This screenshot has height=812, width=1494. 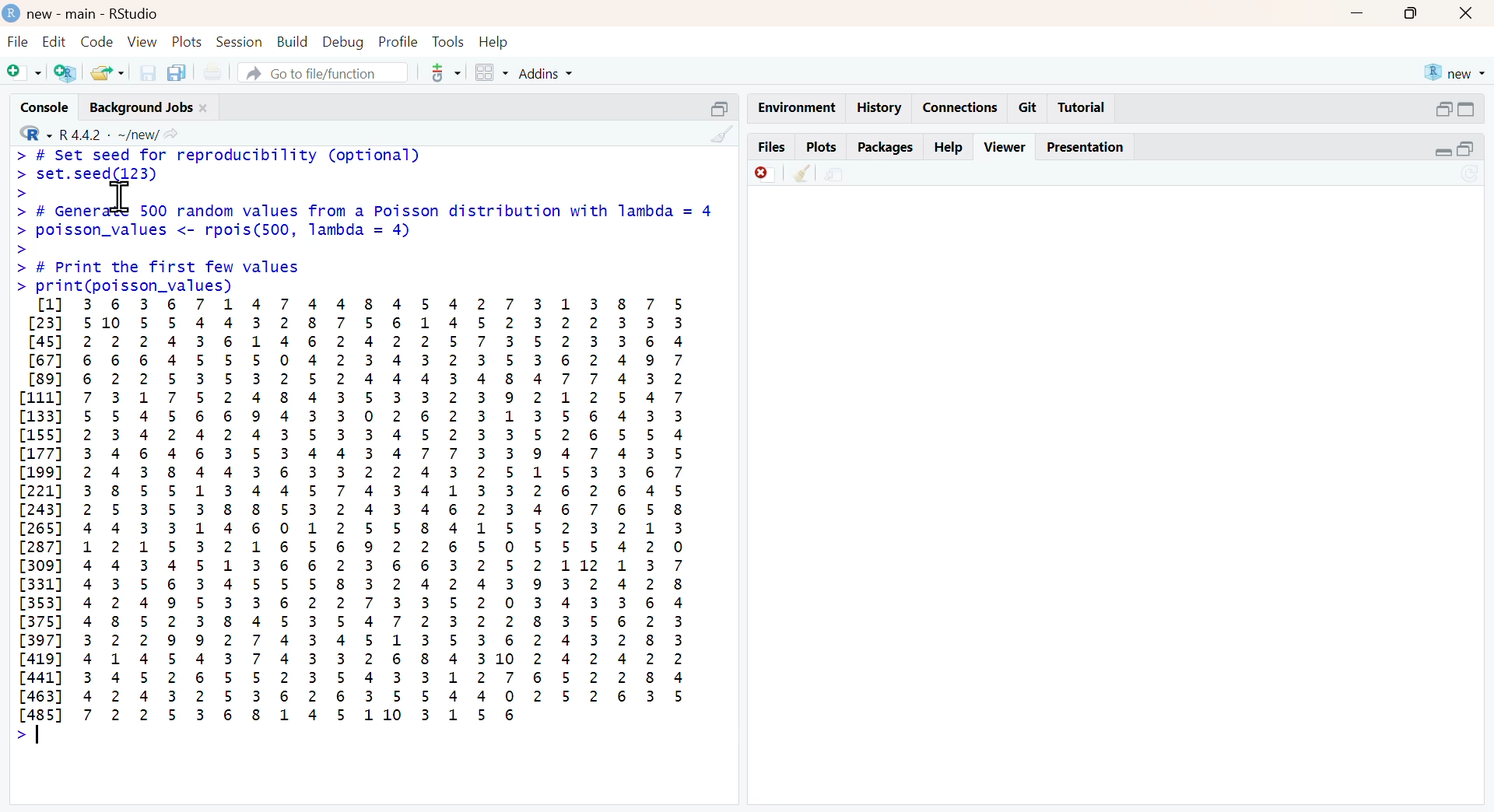 I want to click on add R file, so click(x=68, y=72).